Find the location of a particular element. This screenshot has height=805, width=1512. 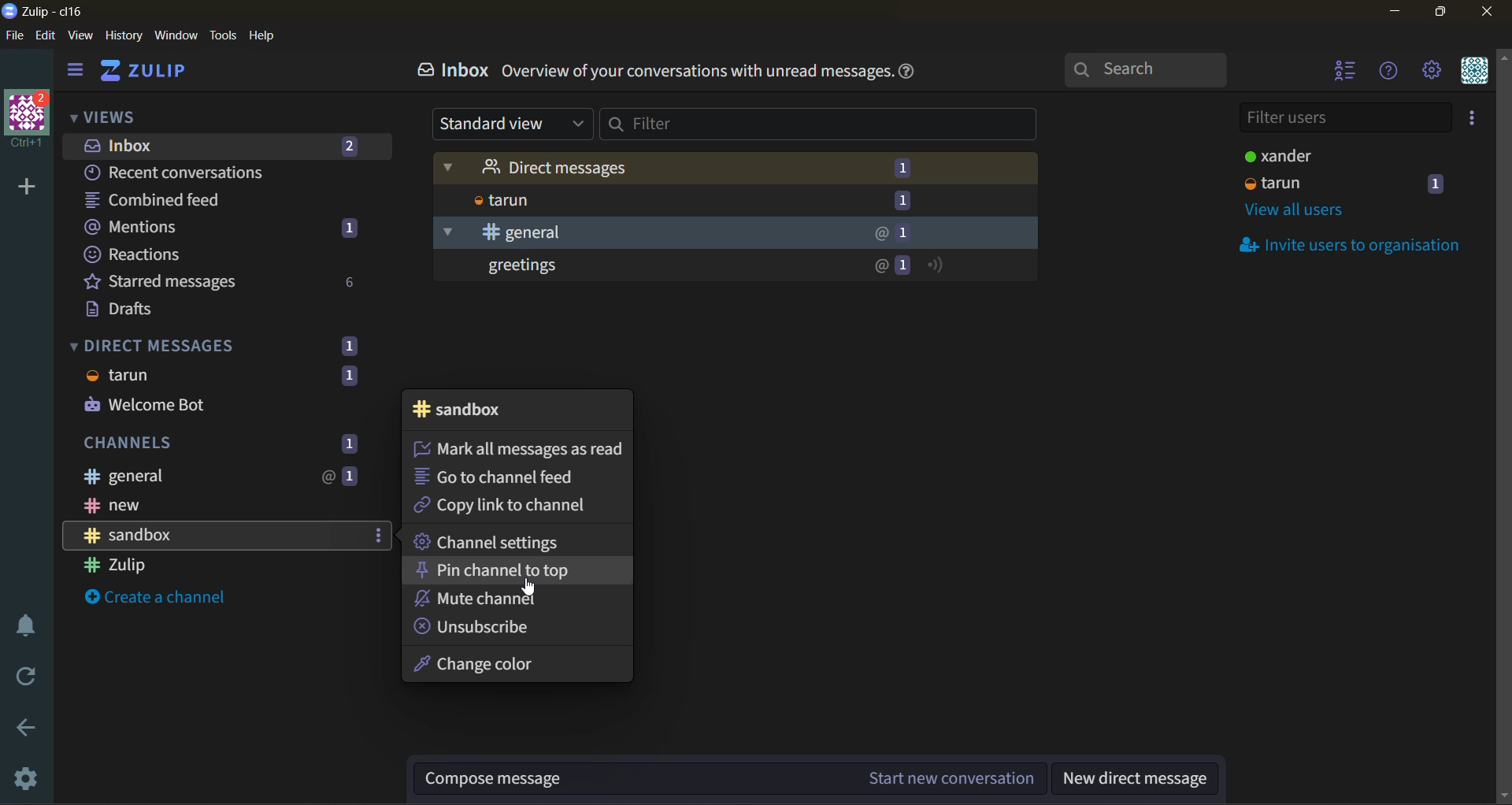

Direct Message is located at coordinates (734, 167).